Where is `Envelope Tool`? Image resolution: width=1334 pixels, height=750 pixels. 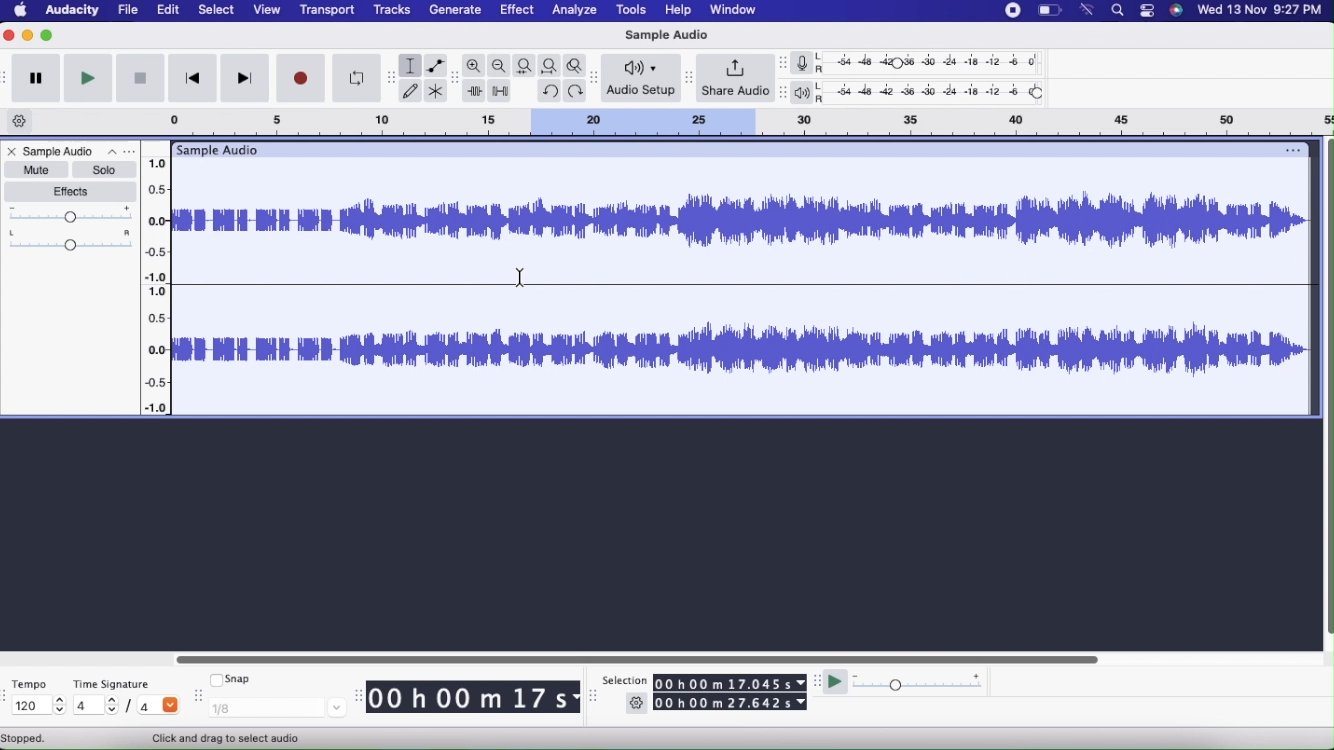
Envelope Tool is located at coordinates (436, 66).